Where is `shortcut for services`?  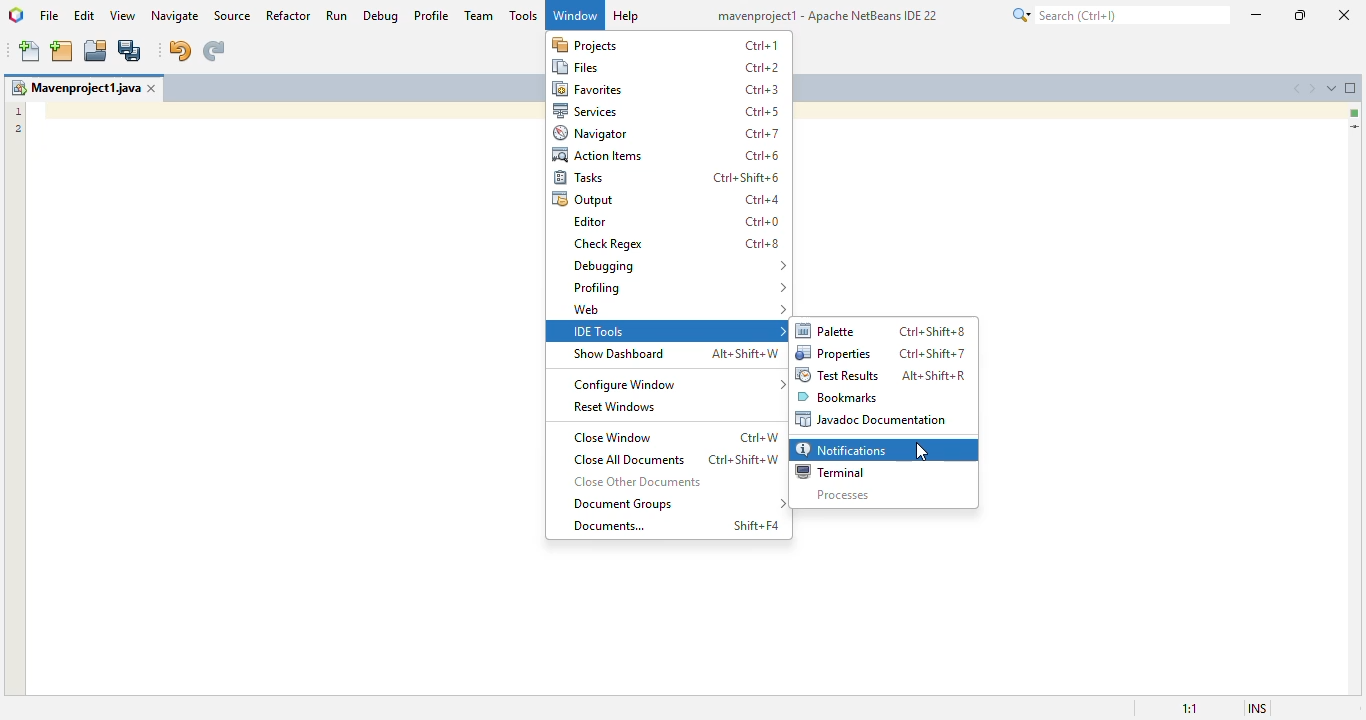
shortcut for services is located at coordinates (762, 113).